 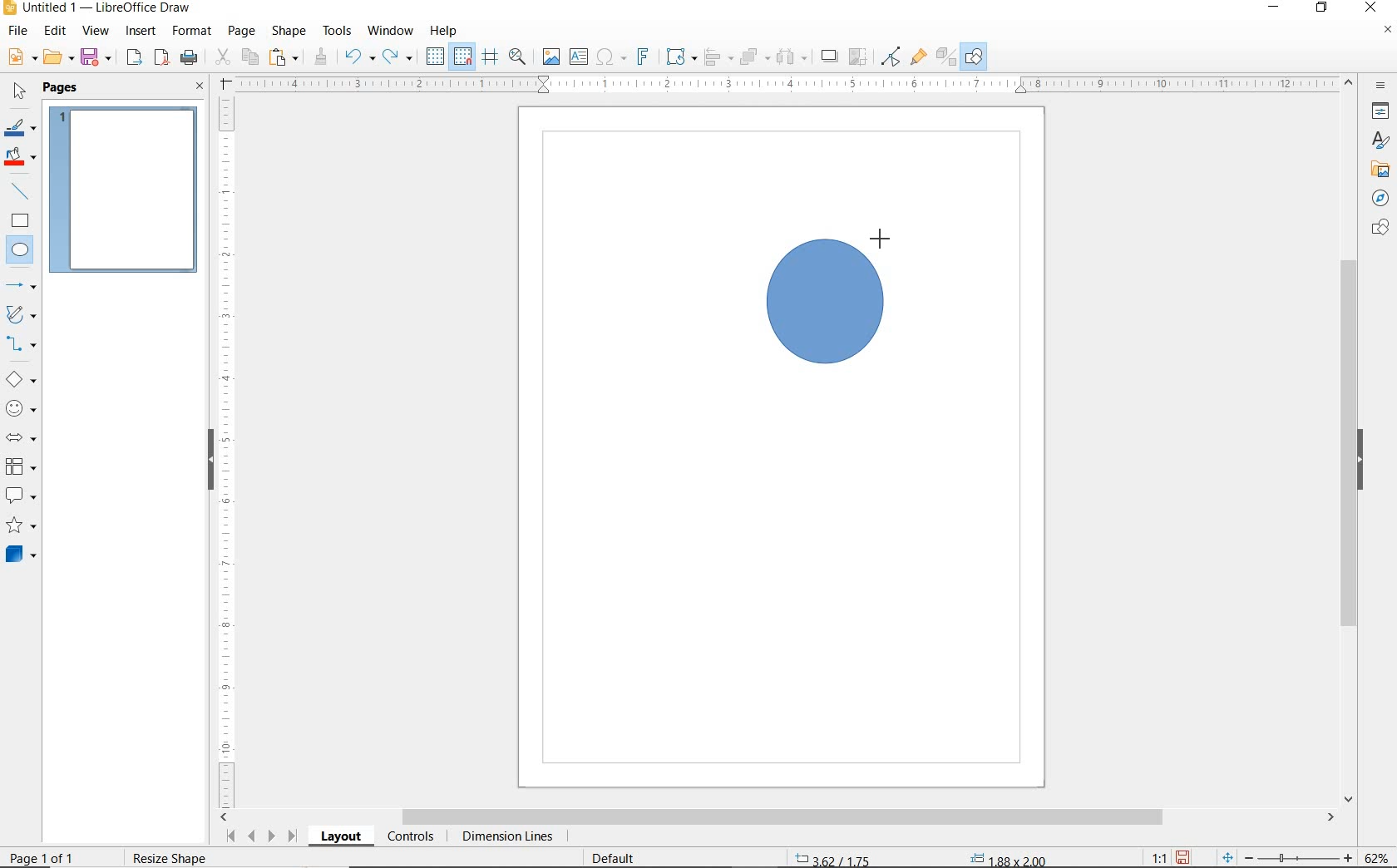 I want to click on MINIMIZE, so click(x=1276, y=8).